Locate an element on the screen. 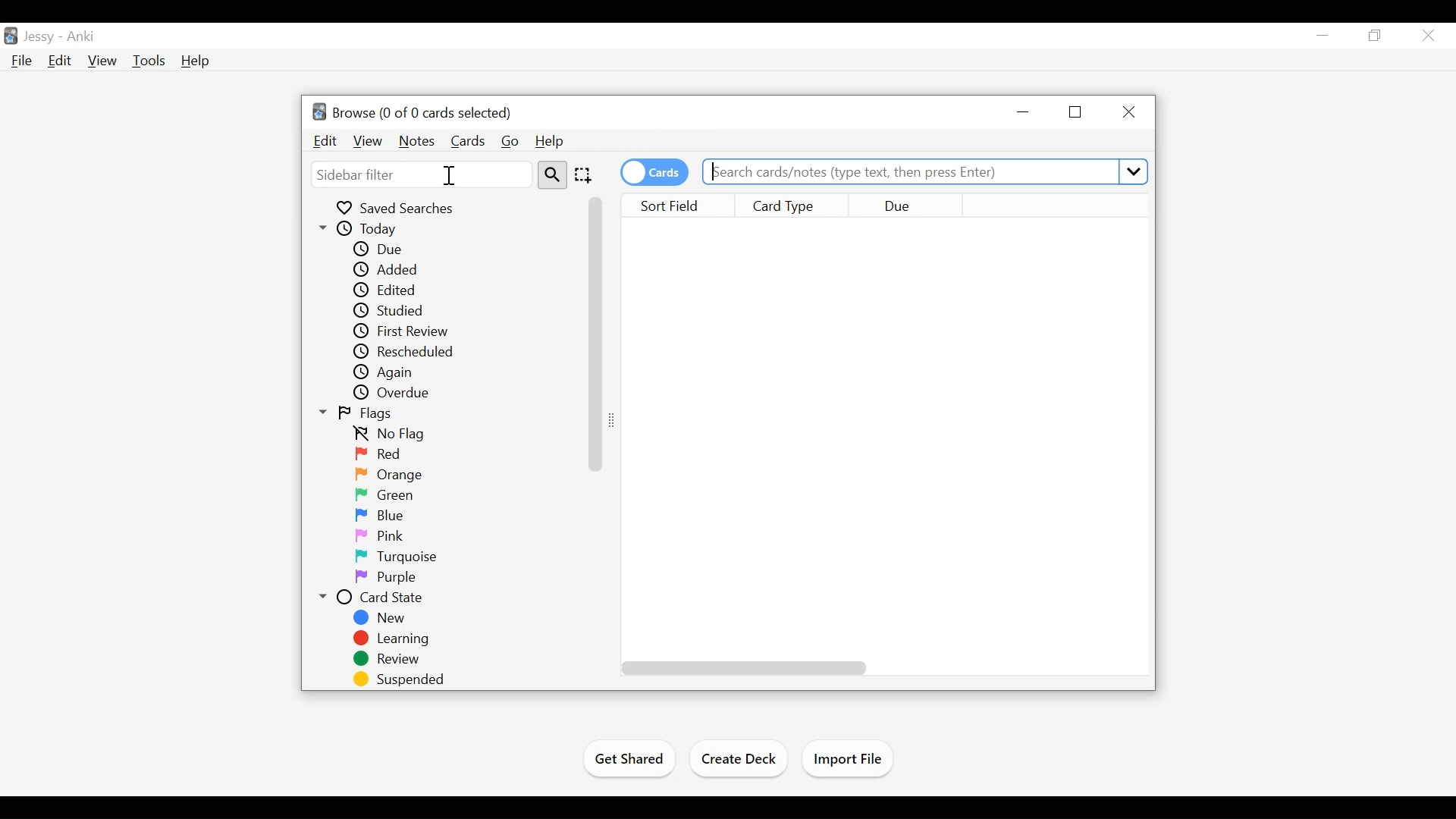  Browse (number of cards out of cards selected) is located at coordinates (412, 111).